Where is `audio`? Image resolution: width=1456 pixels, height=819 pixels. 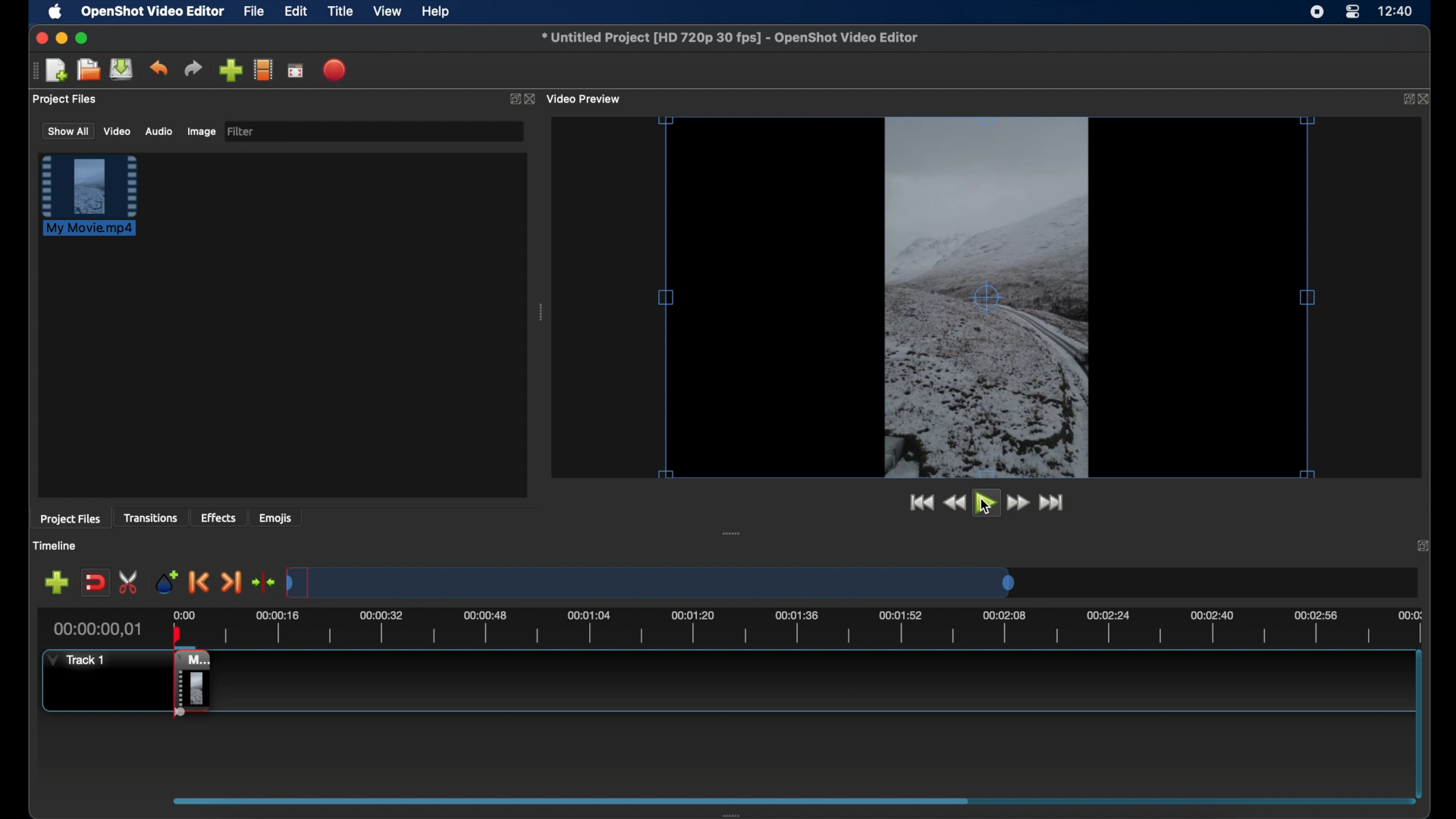
audio is located at coordinates (158, 132).